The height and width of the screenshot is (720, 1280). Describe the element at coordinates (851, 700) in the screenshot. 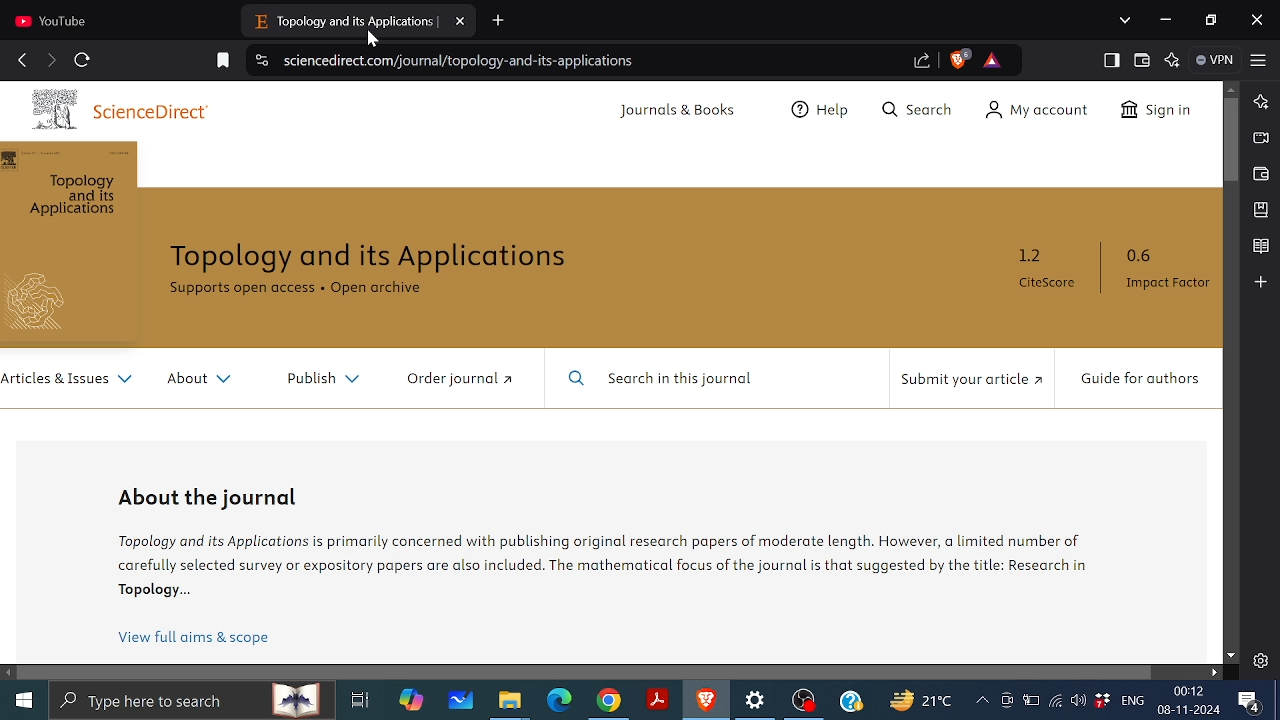

I see `Help` at that location.